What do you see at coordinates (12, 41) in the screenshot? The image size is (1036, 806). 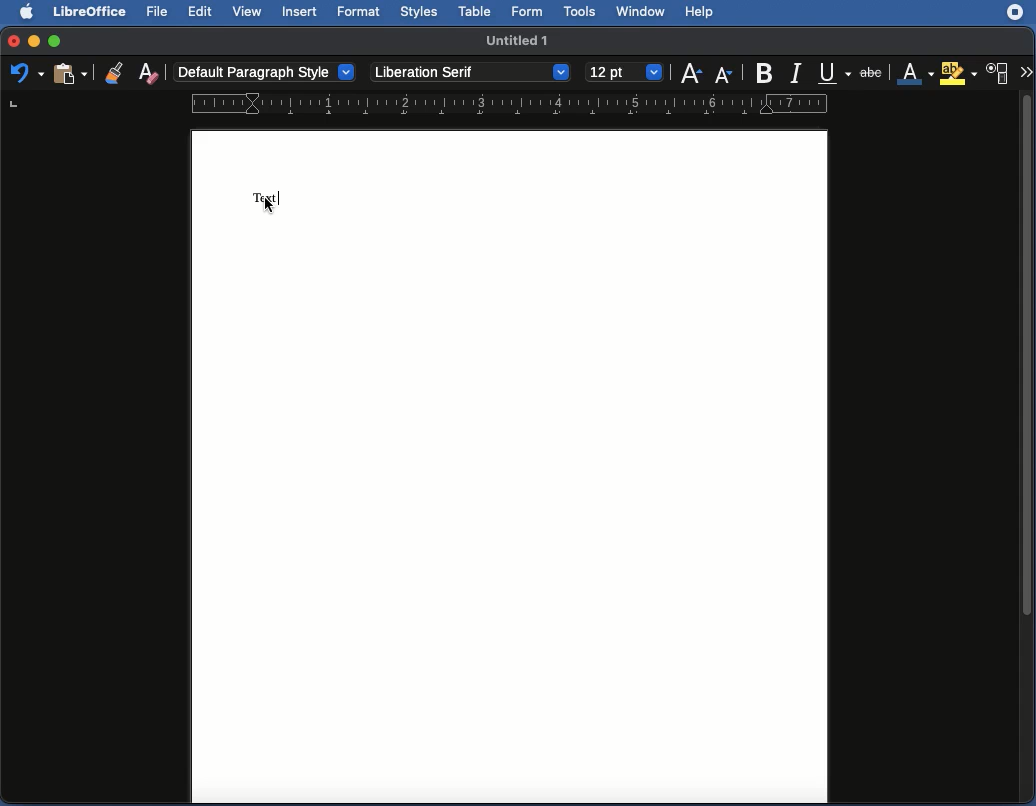 I see `Close` at bounding box center [12, 41].